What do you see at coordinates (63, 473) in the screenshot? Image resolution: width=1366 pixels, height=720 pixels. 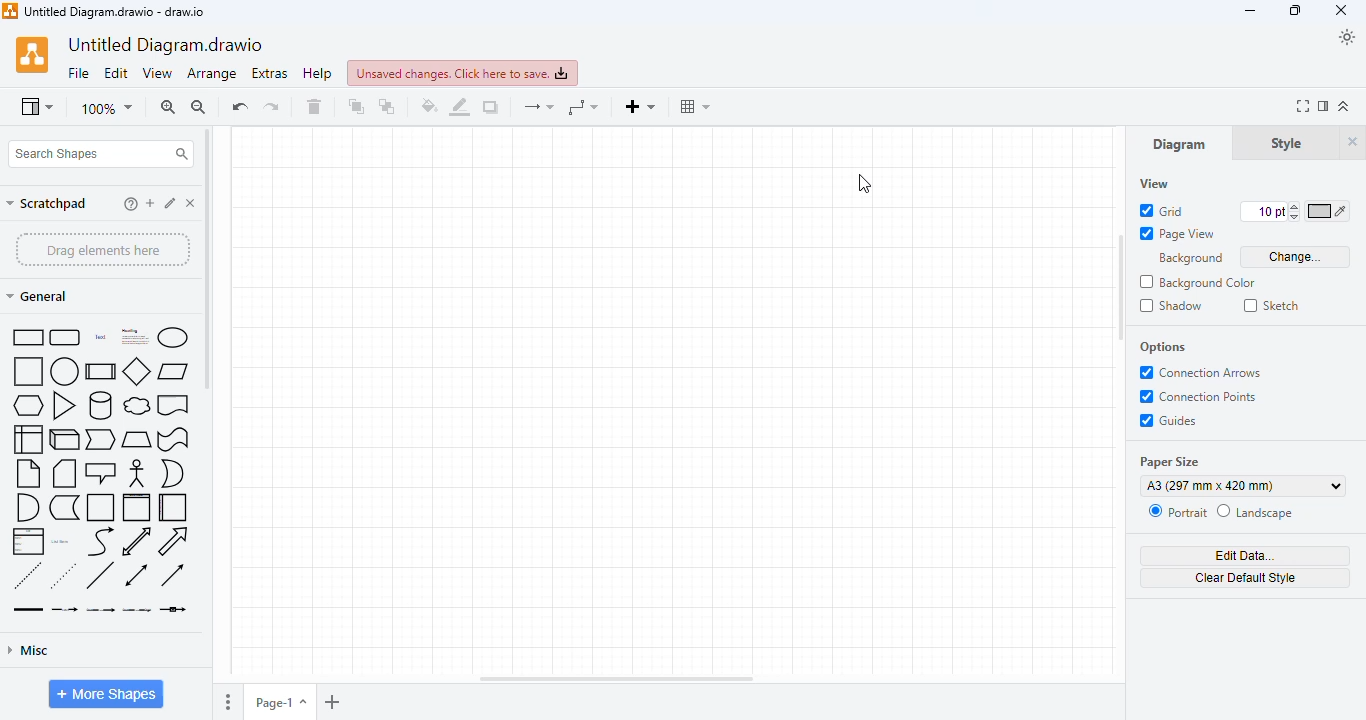 I see `card` at bounding box center [63, 473].